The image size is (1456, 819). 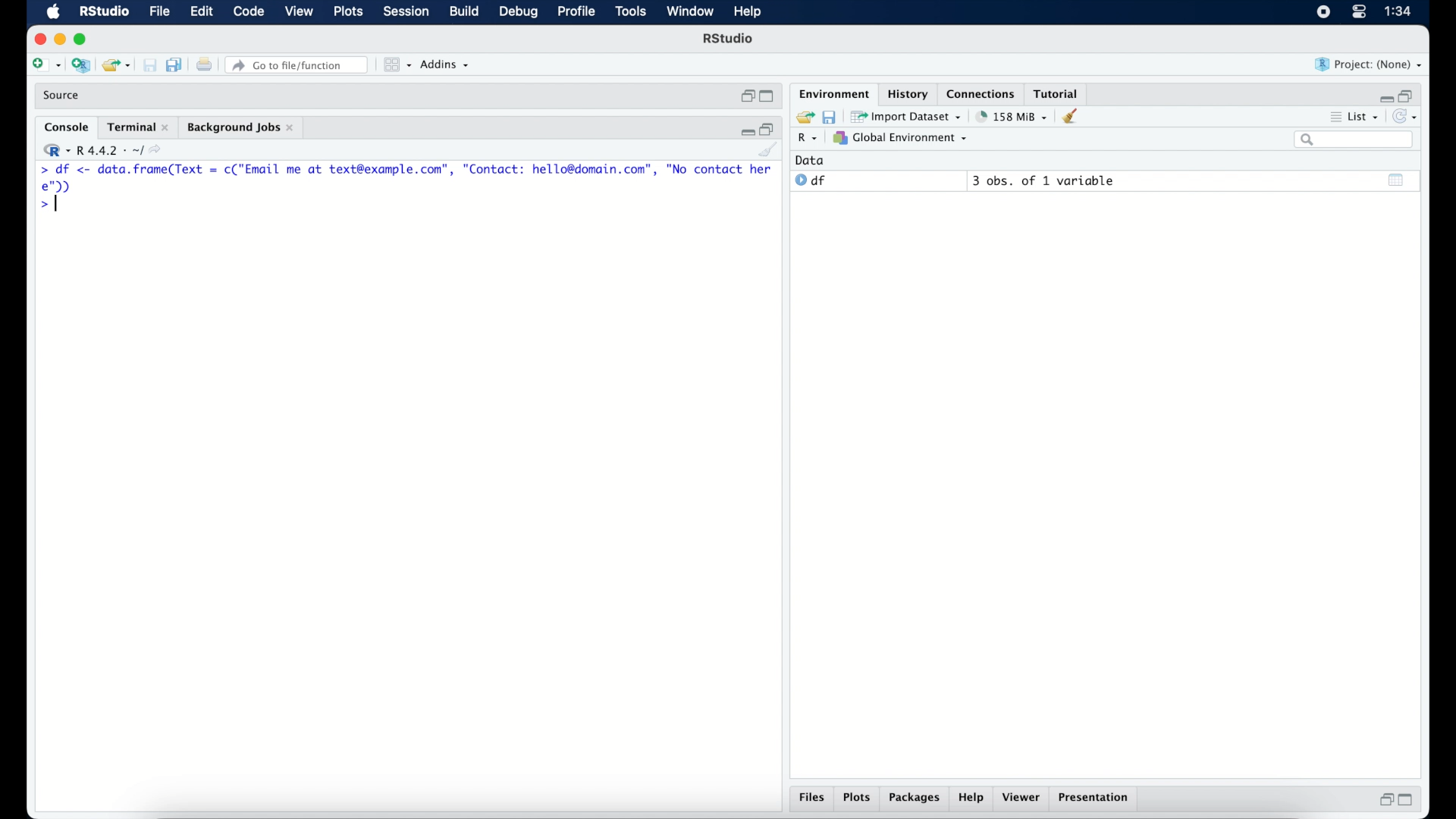 What do you see at coordinates (748, 12) in the screenshot?
I see `help` at bounding box center [748, 12].